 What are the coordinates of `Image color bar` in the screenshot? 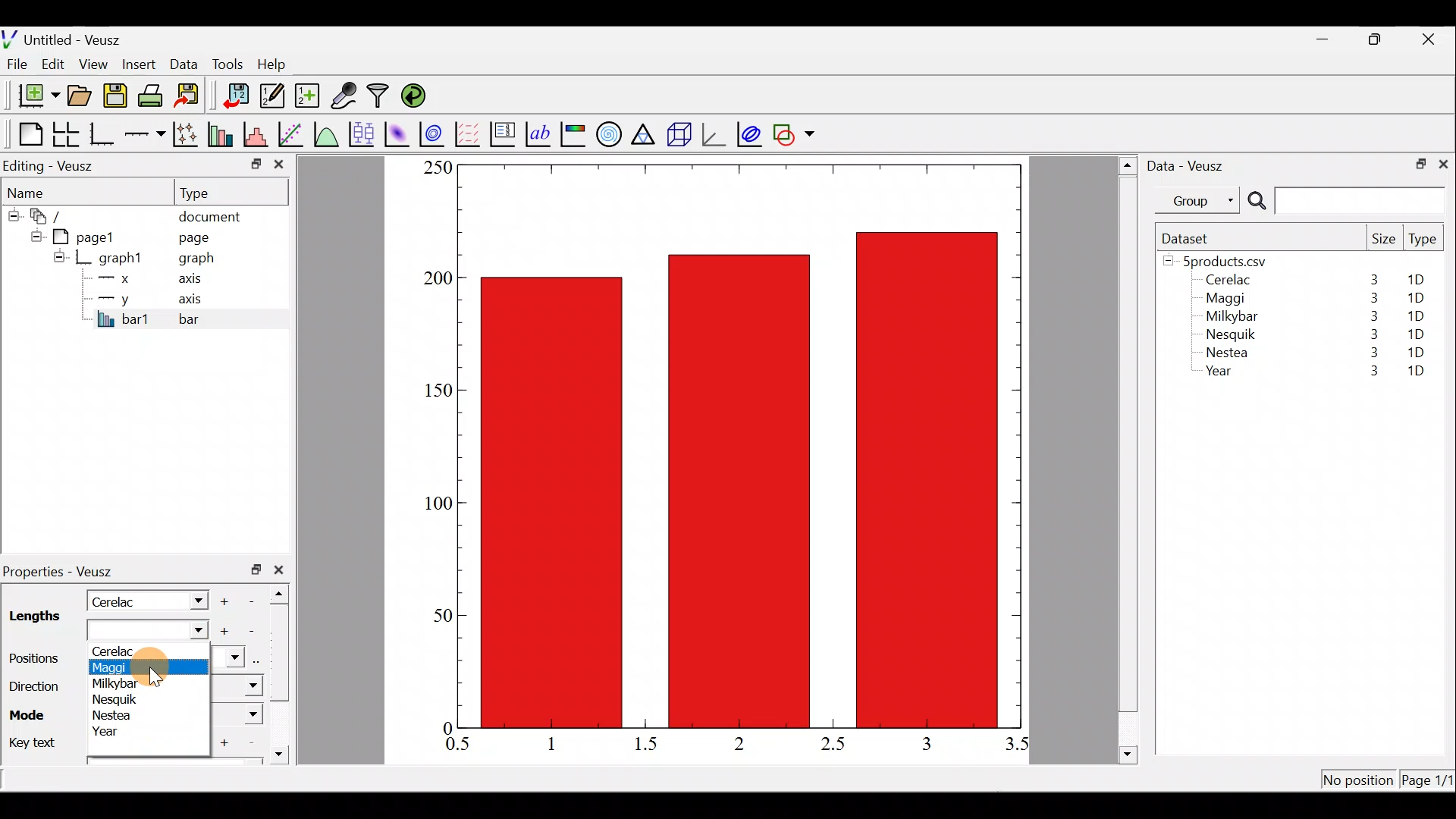 It's located at (574, 133).